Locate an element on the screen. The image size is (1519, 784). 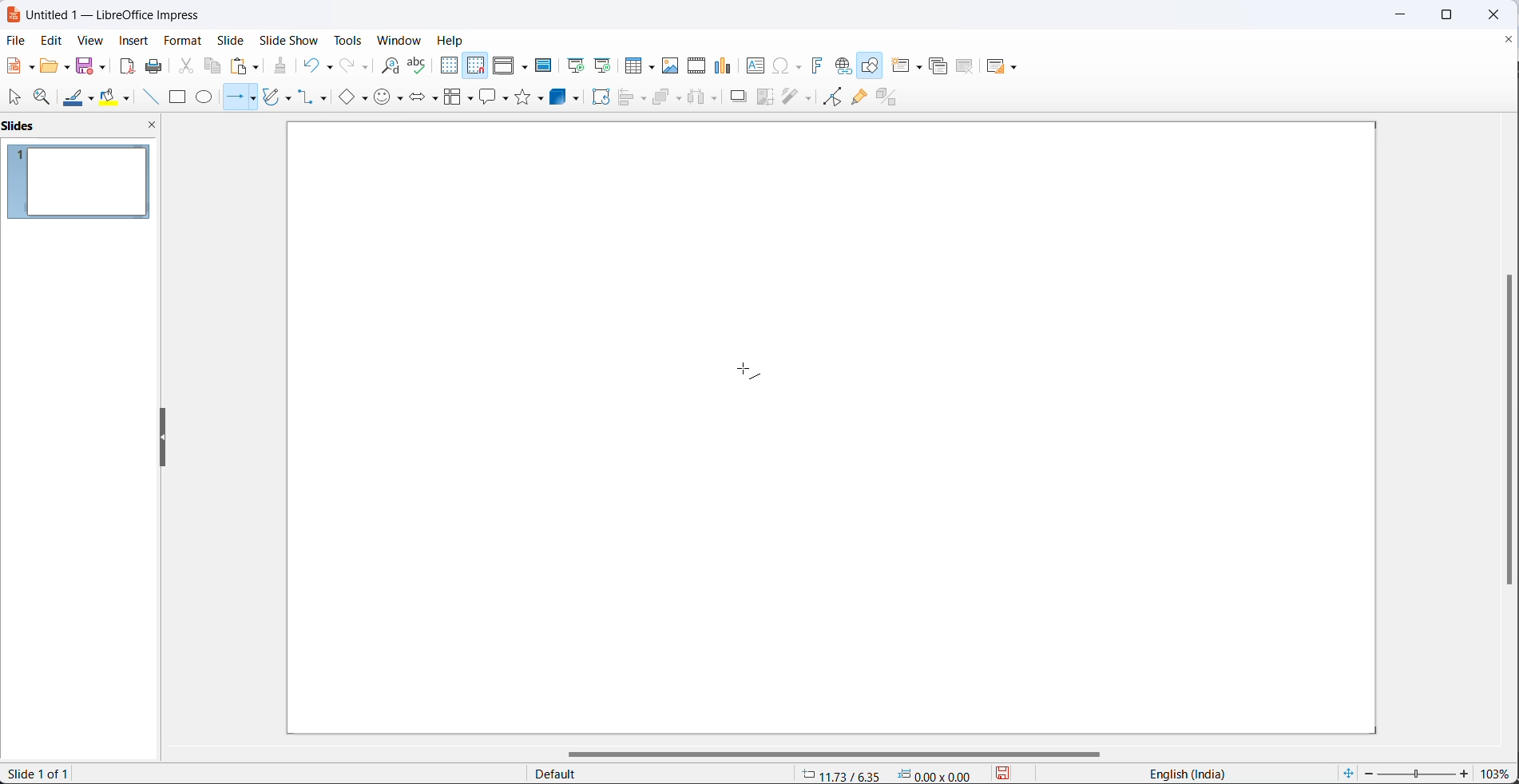
file is located at coordinates (14, 40).